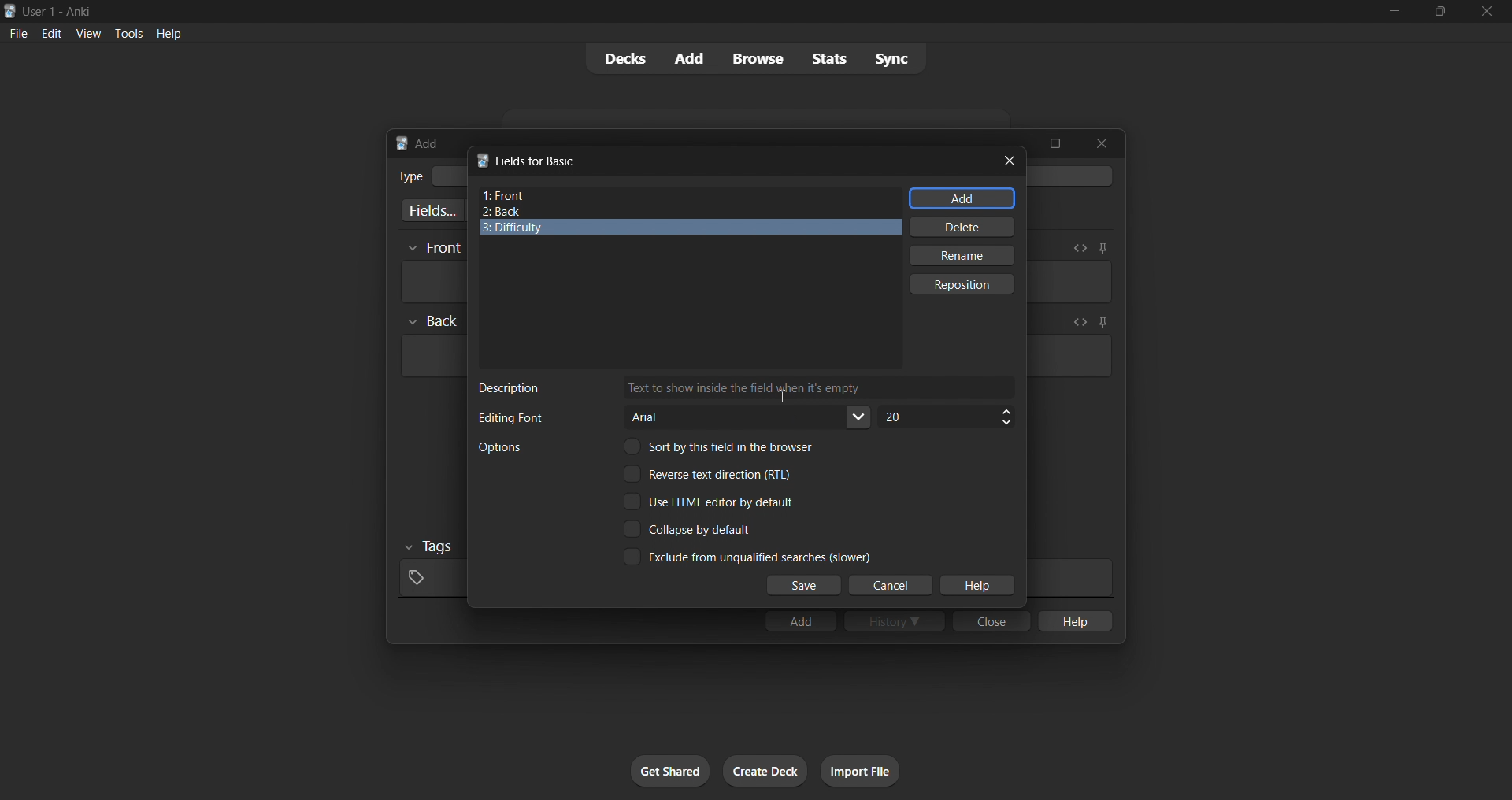 The width and height of the screenshot is (1512, 800). What do you see at coordinates (1069, 578) in the screenshot?
I see `Card tags input` at bounding box center [1069, 578].